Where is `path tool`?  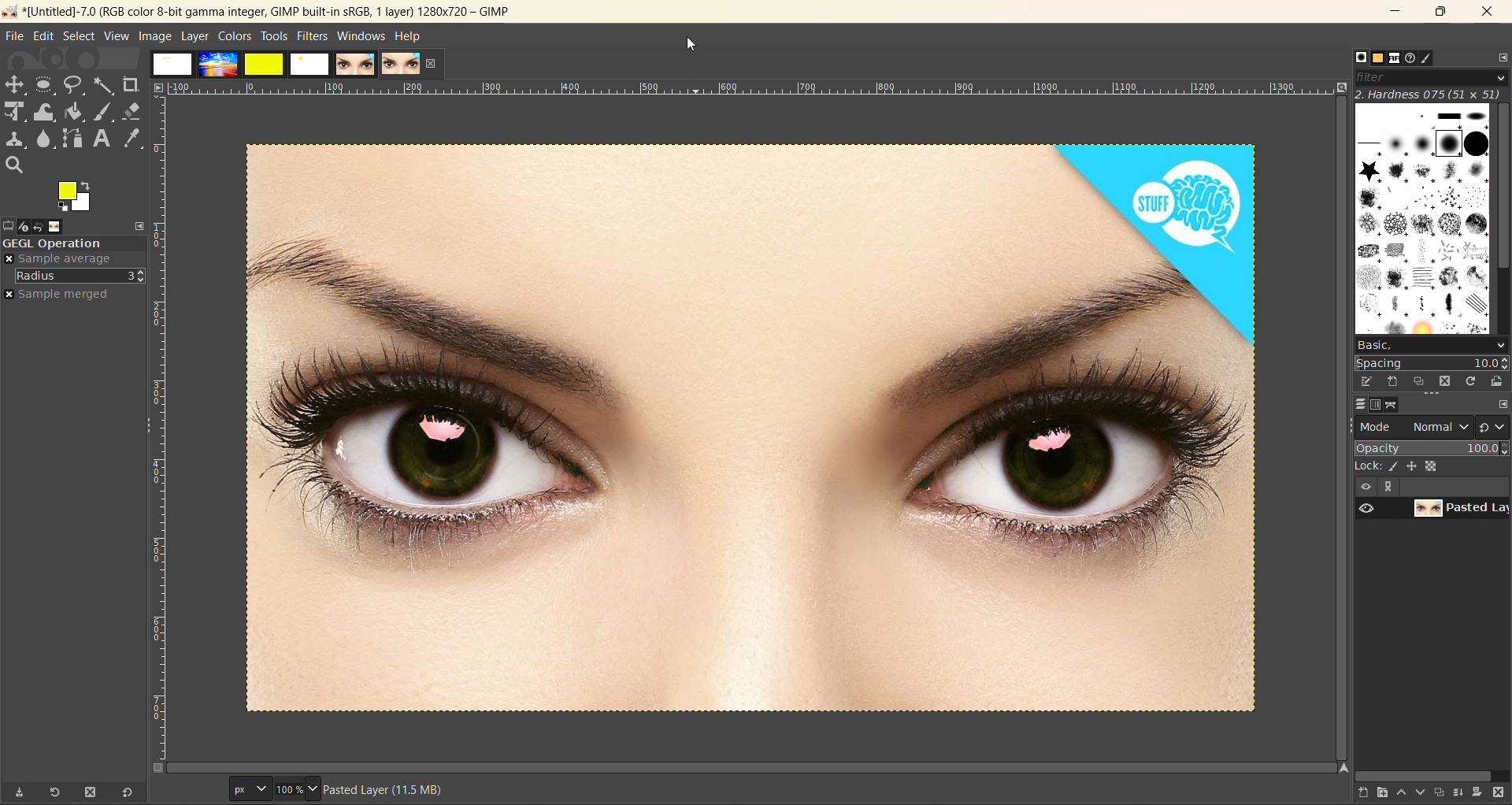
path tool is located at coordinates (72, 138).